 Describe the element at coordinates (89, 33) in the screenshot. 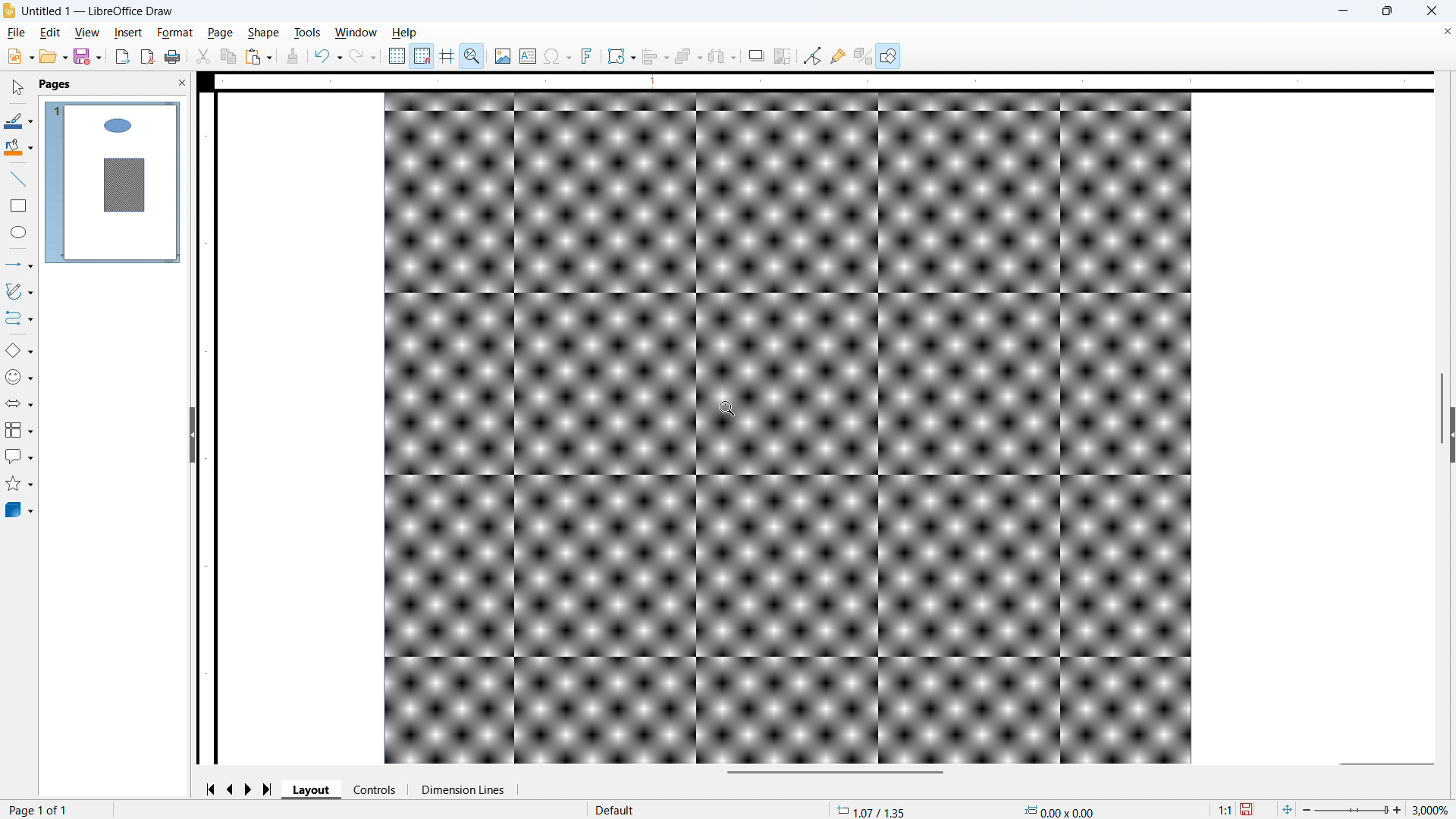

I see `View ` at that location.